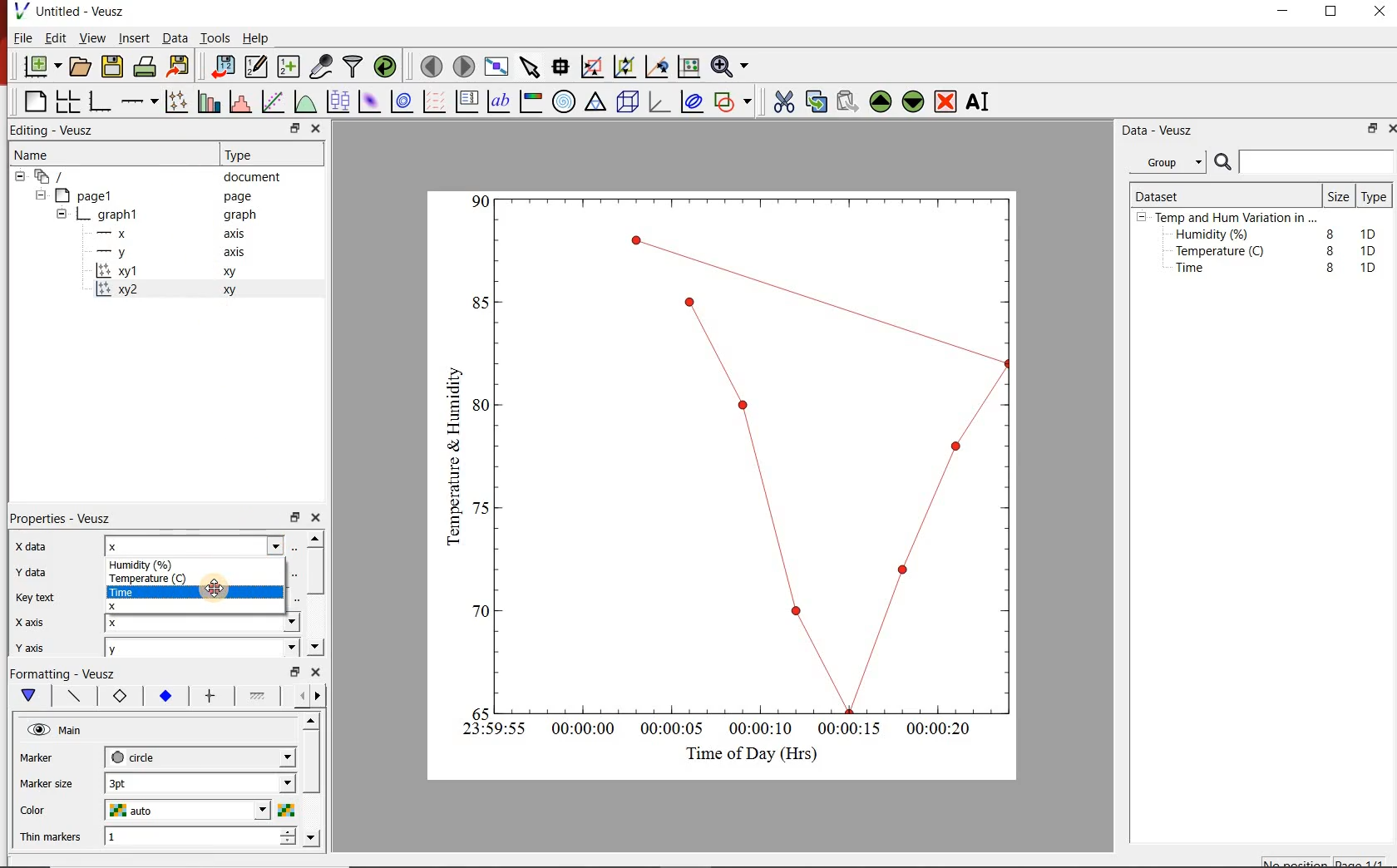  I want to click on Marker size dropdown, so click(249, 784).